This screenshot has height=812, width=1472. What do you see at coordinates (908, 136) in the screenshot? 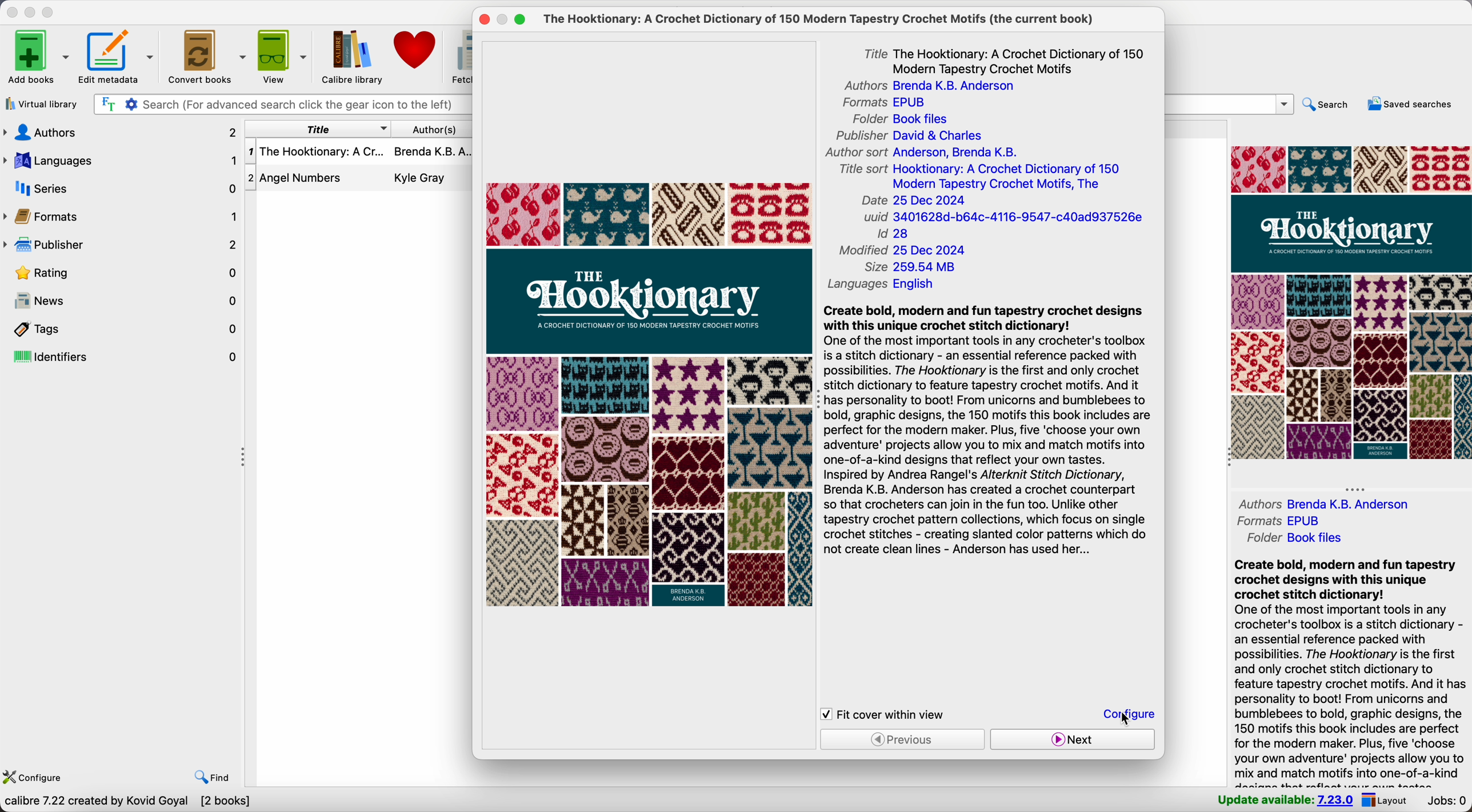
I see `publisher` at bounding box center [908, 136].